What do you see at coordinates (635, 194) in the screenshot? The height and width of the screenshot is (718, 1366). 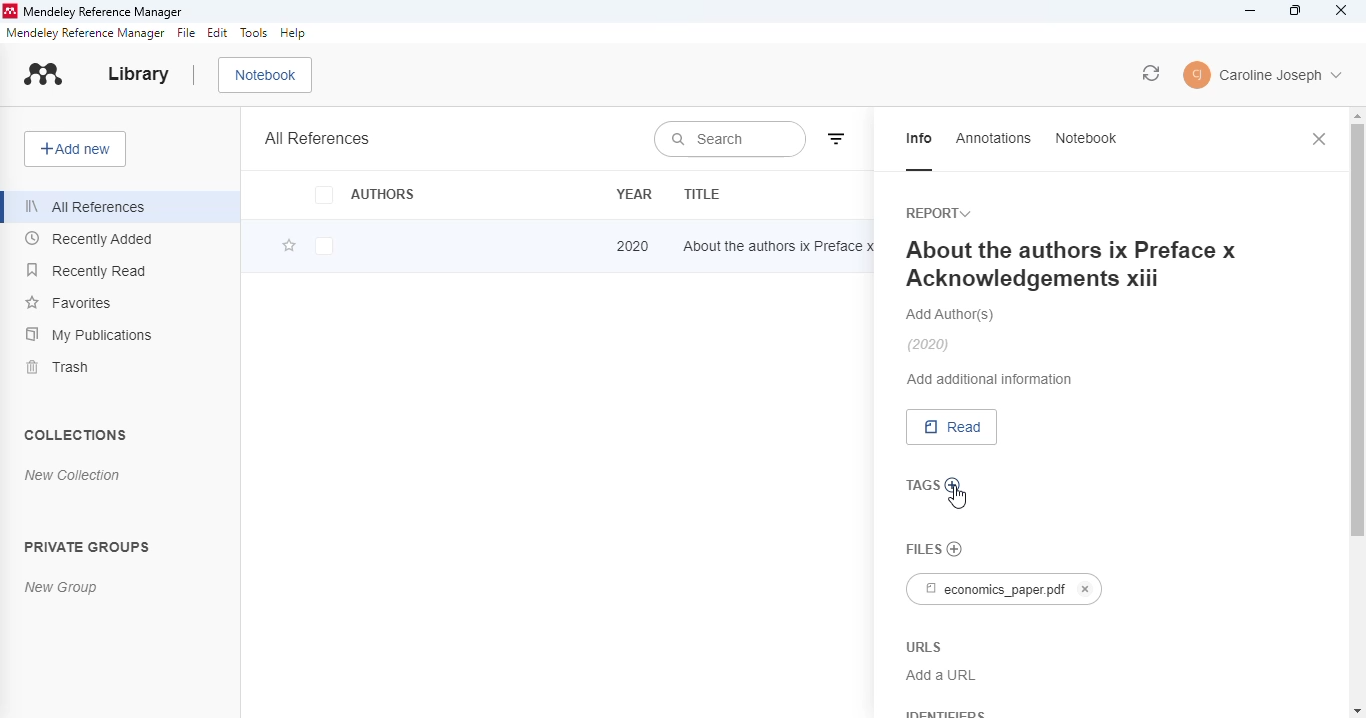 I see `year` at bounding box center [635, 194].